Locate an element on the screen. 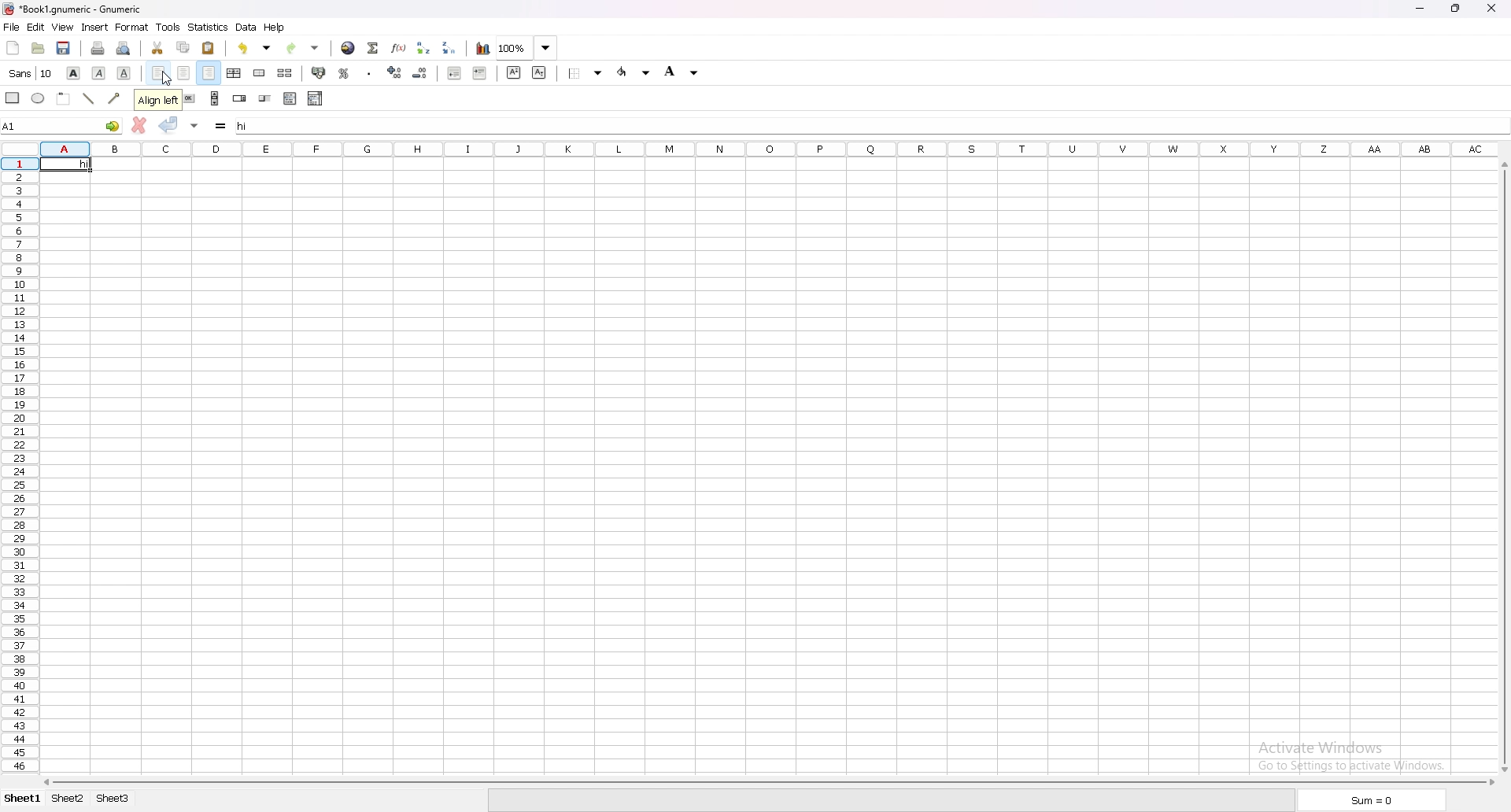  file is located at coordinates (12, 28).